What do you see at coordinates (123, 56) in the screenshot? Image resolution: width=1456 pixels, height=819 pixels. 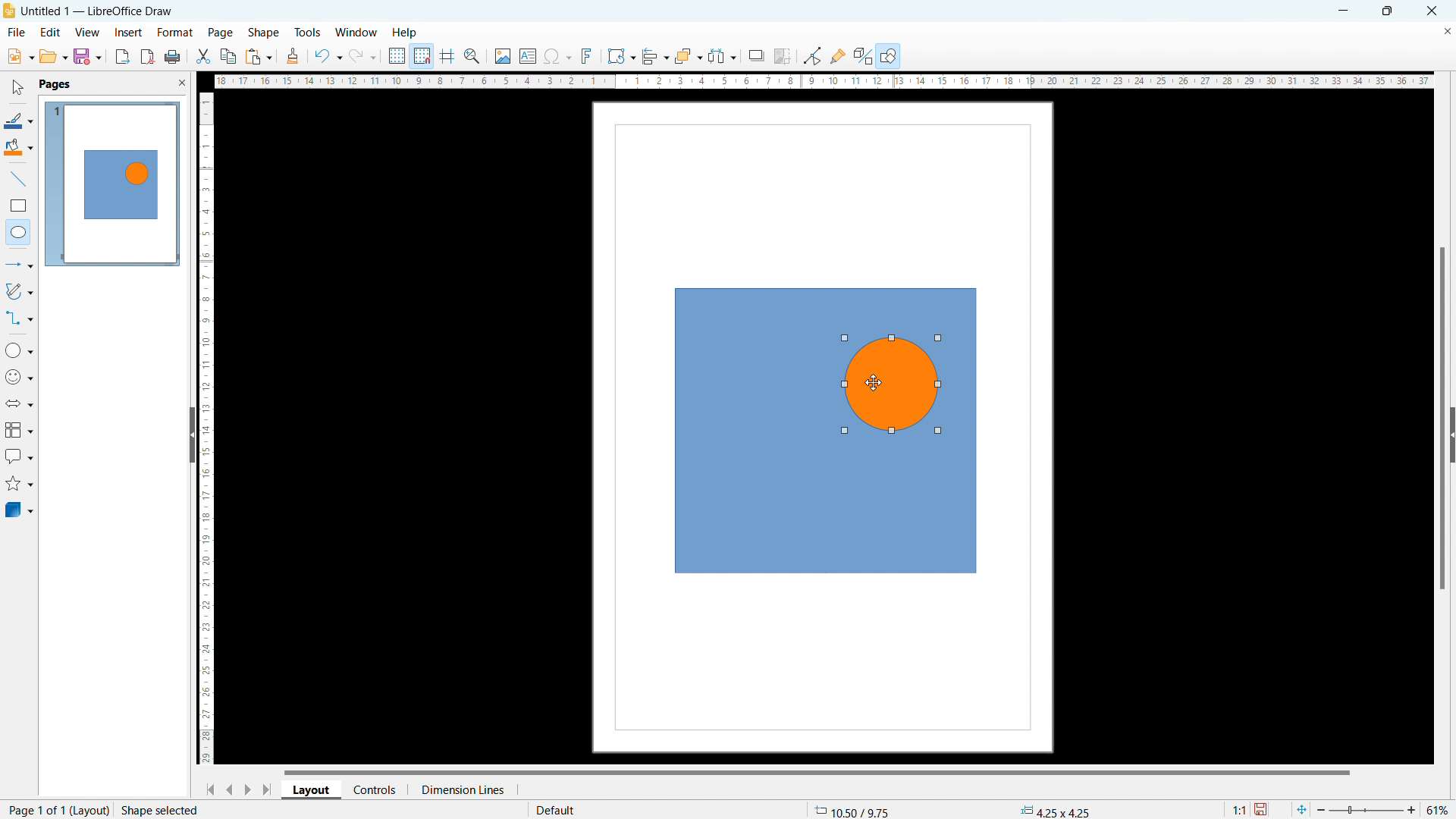 I see `export` at bounding box center [123, 56].